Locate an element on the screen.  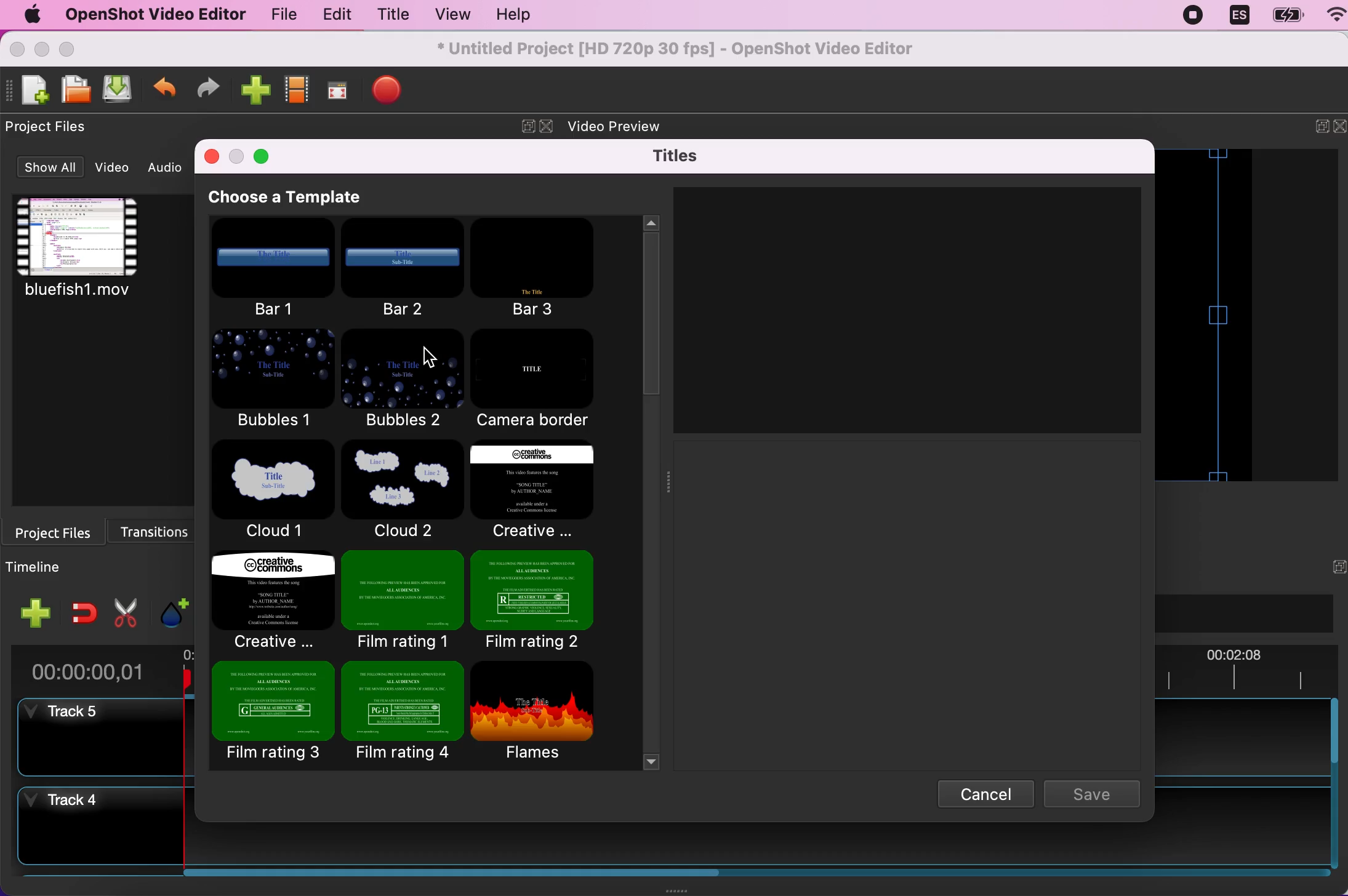
cancel is located at coordinates (978, 791).